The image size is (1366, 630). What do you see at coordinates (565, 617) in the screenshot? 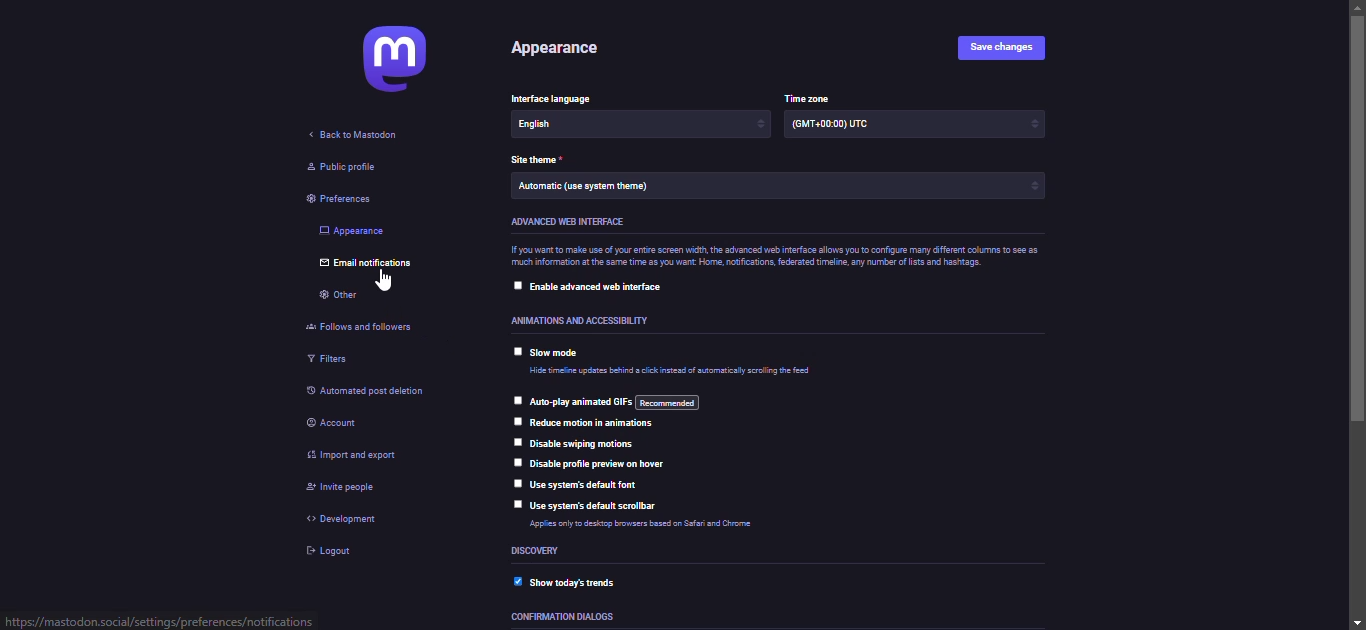
I see `dialoges` at bounding box center [565, 617].